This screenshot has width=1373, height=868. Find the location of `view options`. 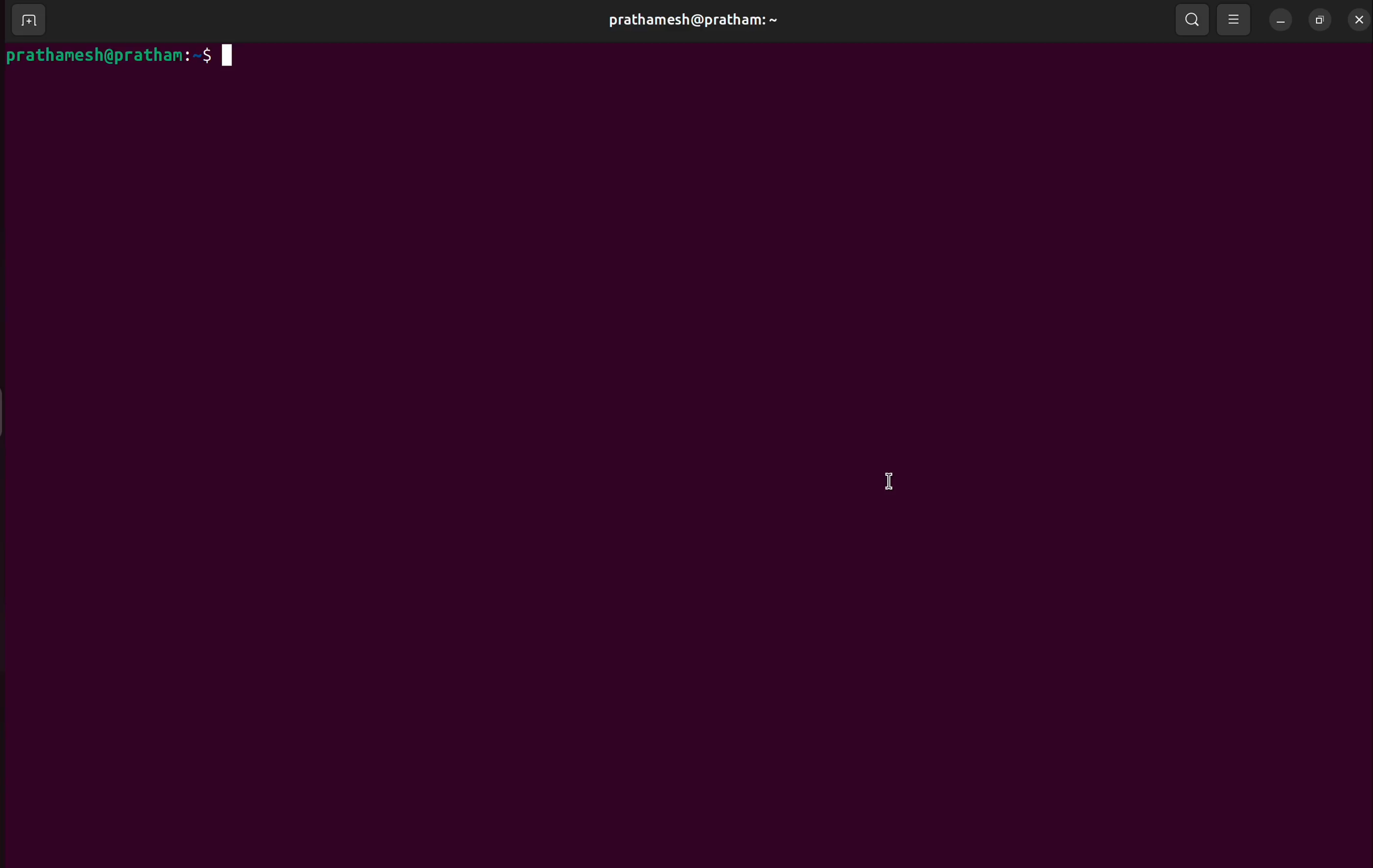

view options is located at coordinates (1237, 18).